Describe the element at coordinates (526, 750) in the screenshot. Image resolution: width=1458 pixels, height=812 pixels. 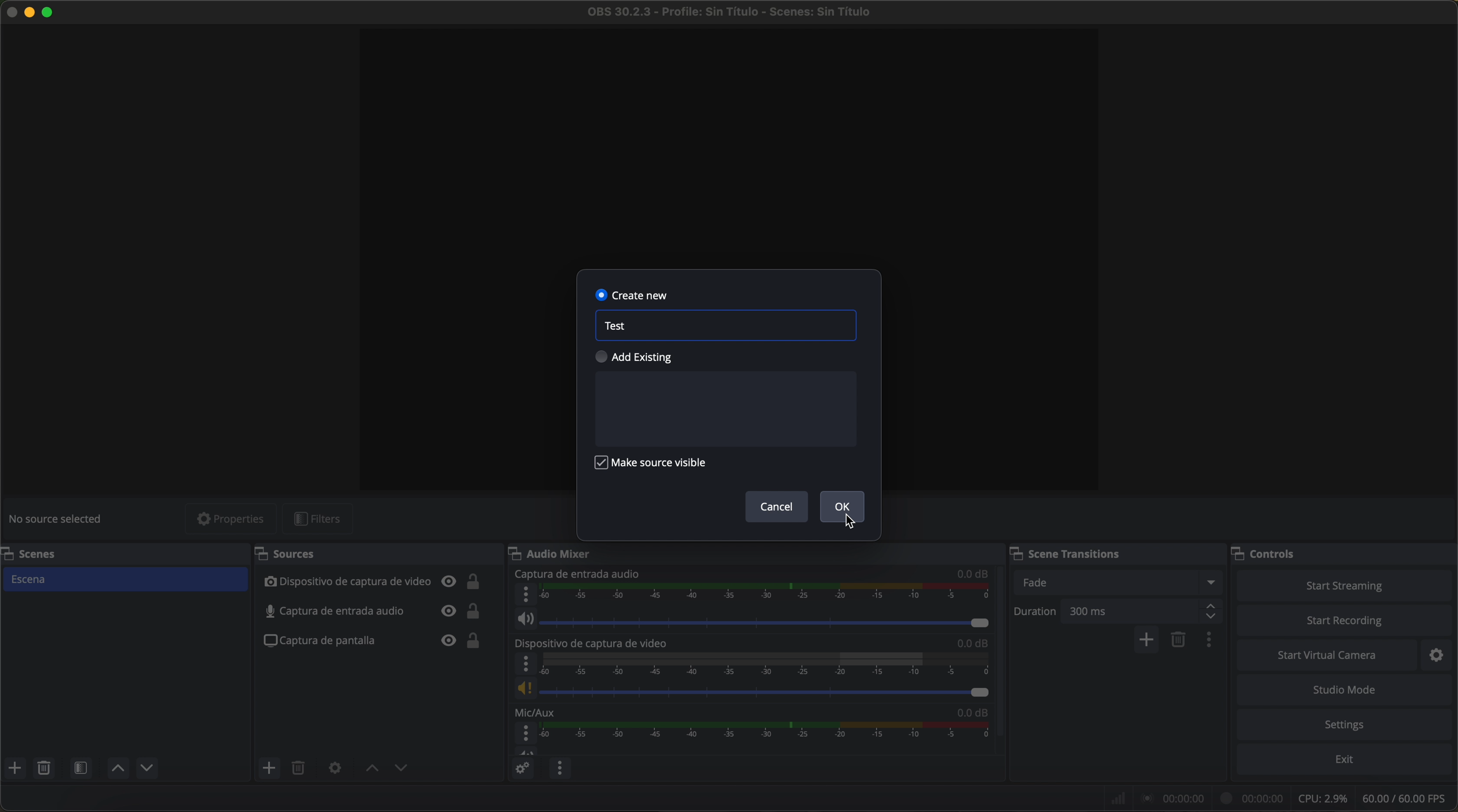
I see `vol` at that location.